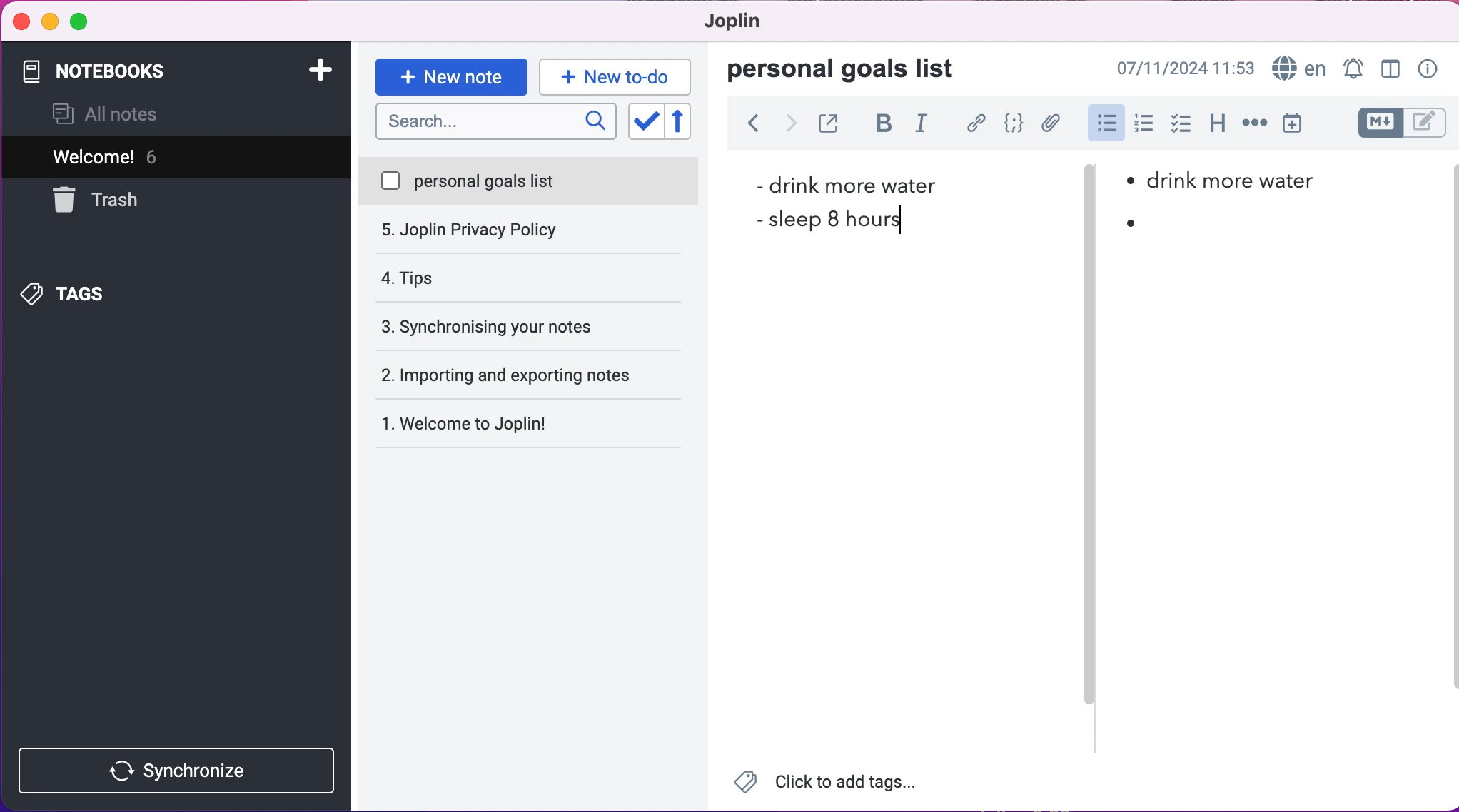 The width and height of the screenshot is (1459, 812). What do you see at coordinates (131, 200) in the screenshot?
I see `trash` at bounding box center [131, 200].